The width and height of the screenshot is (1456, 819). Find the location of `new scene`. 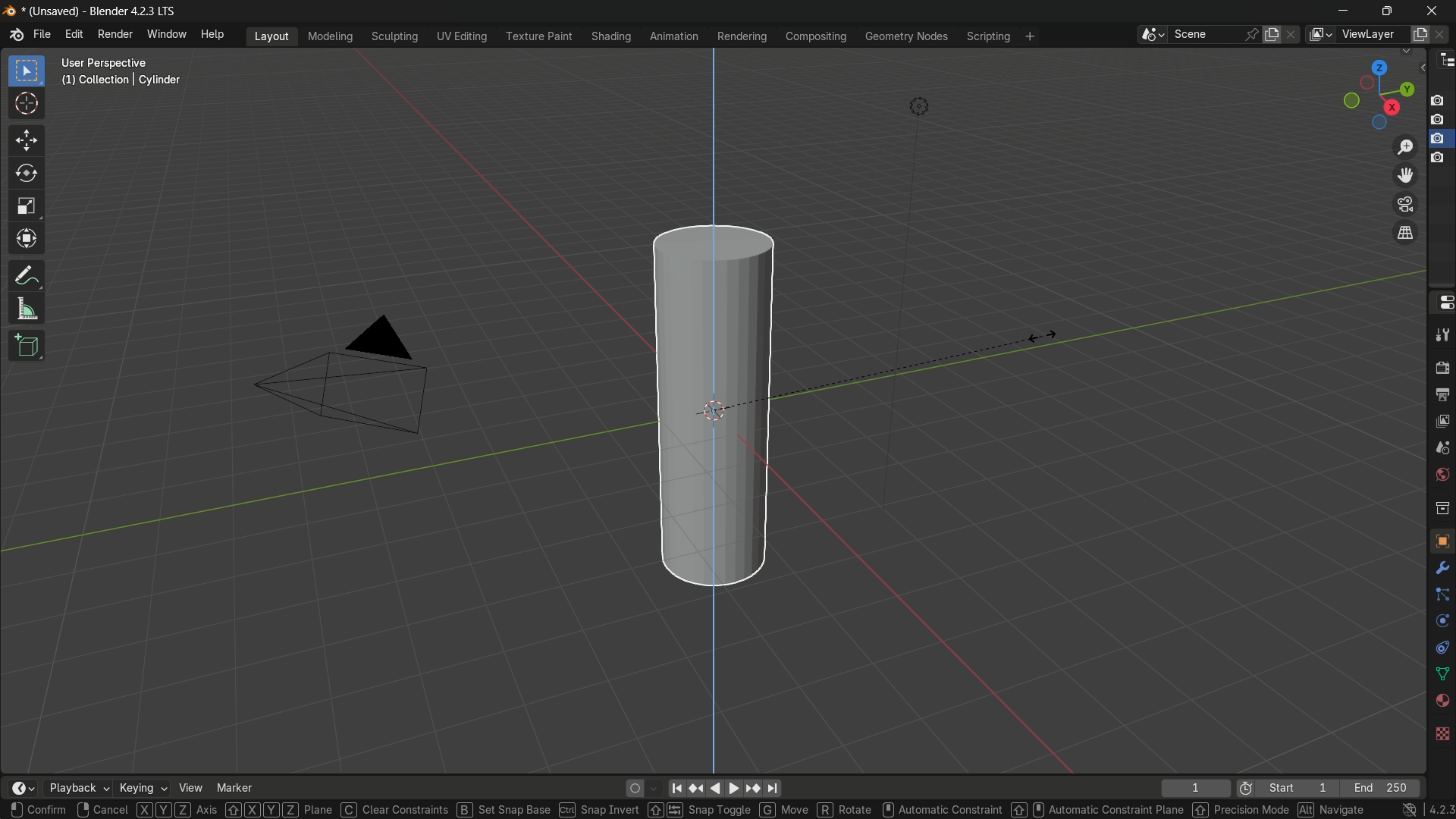

new scene is located at coordinates (1273, 34).